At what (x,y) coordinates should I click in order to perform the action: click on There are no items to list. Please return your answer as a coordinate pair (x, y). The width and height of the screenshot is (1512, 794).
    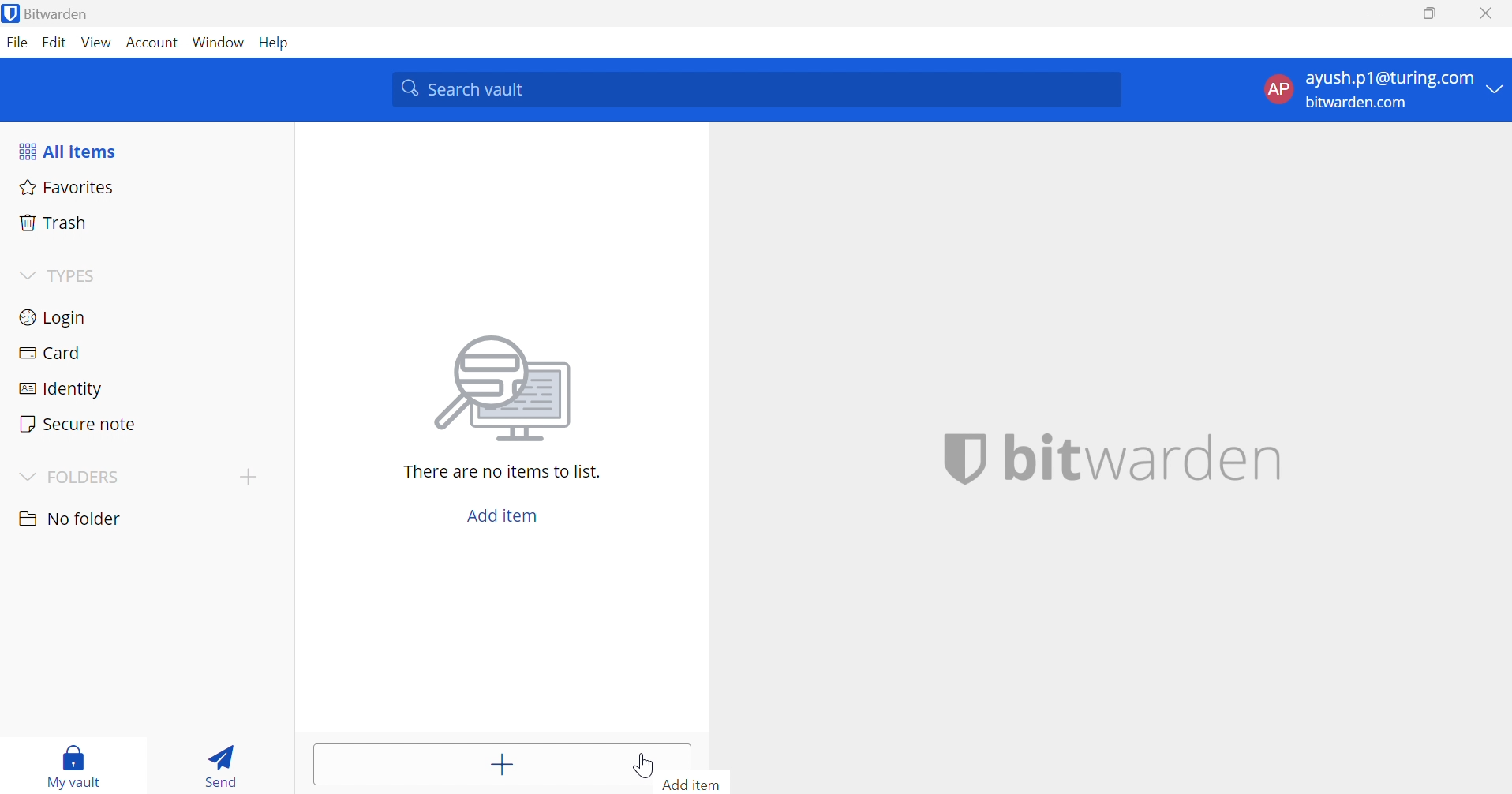
    Looking at the image, I should click on (501, 472).